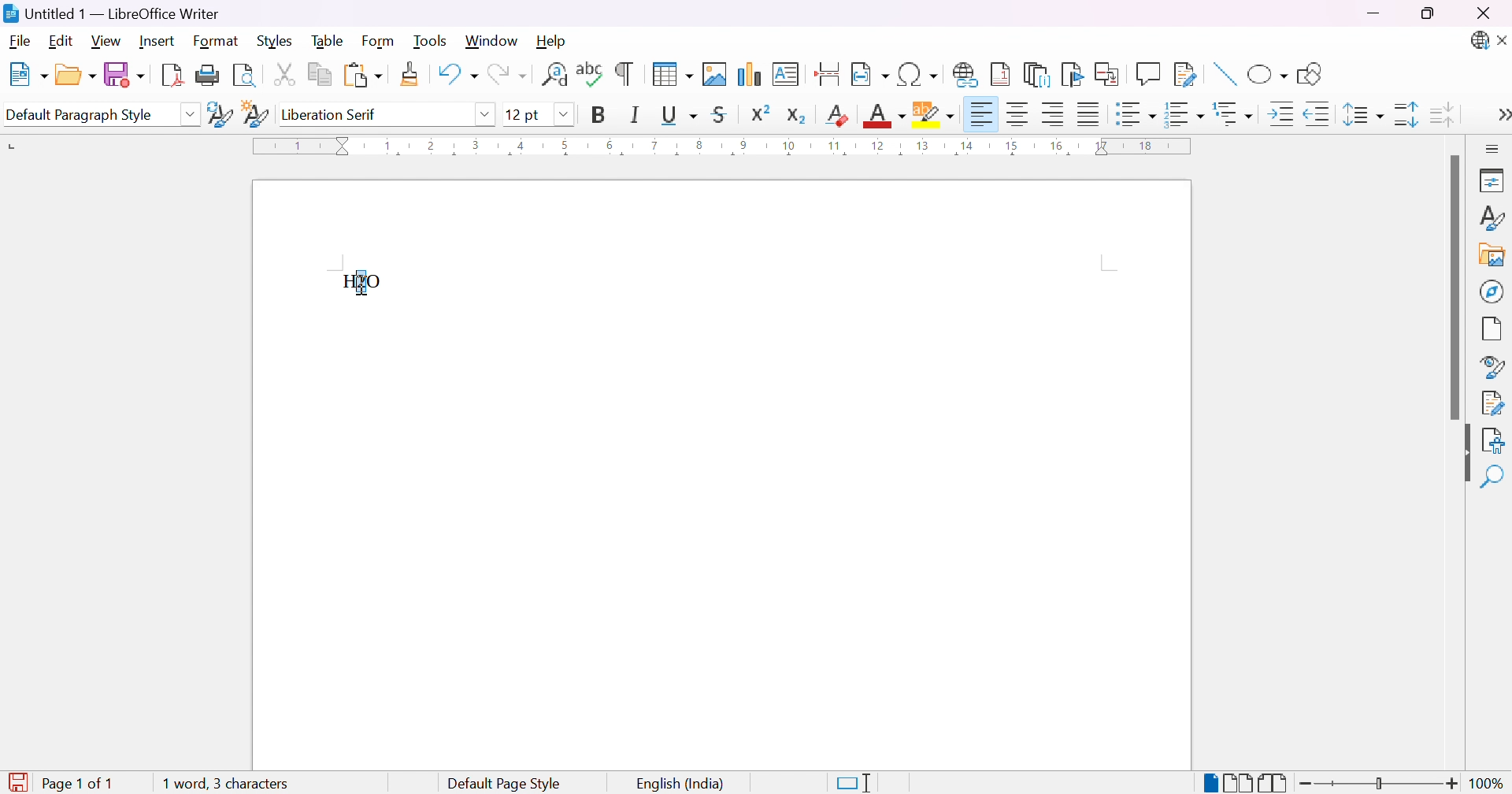 The height and width of the screenshot is (794, 1512). Describe the element at coordinates (1503, 42) in the screenshot. I see `Close` at that location.